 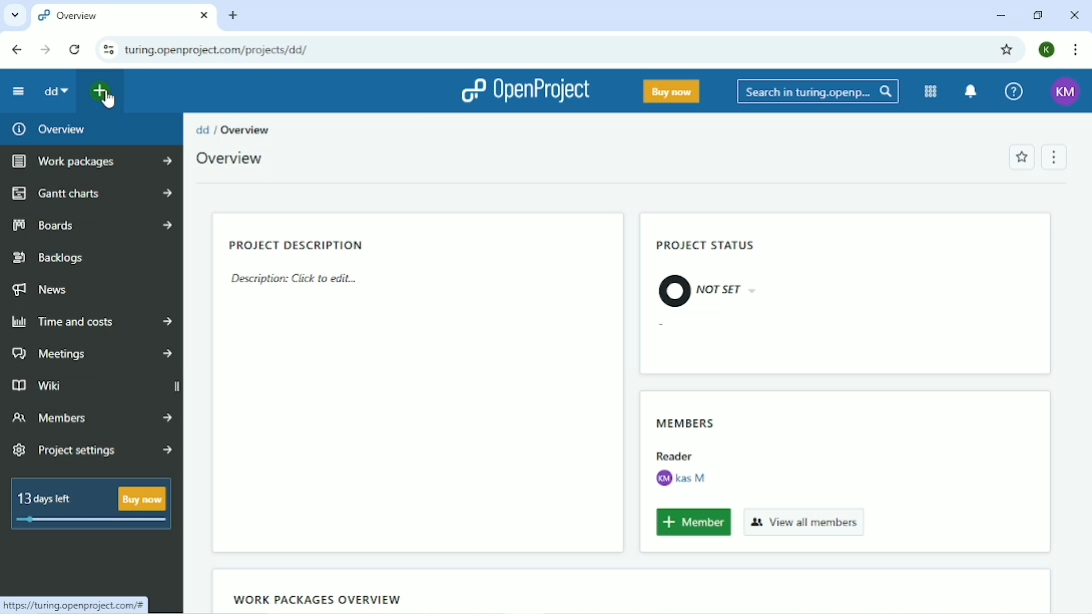 What do you see at coordinates (113, 16) in the screenshot?
I see `Overview` at bounding box center [113, 16].